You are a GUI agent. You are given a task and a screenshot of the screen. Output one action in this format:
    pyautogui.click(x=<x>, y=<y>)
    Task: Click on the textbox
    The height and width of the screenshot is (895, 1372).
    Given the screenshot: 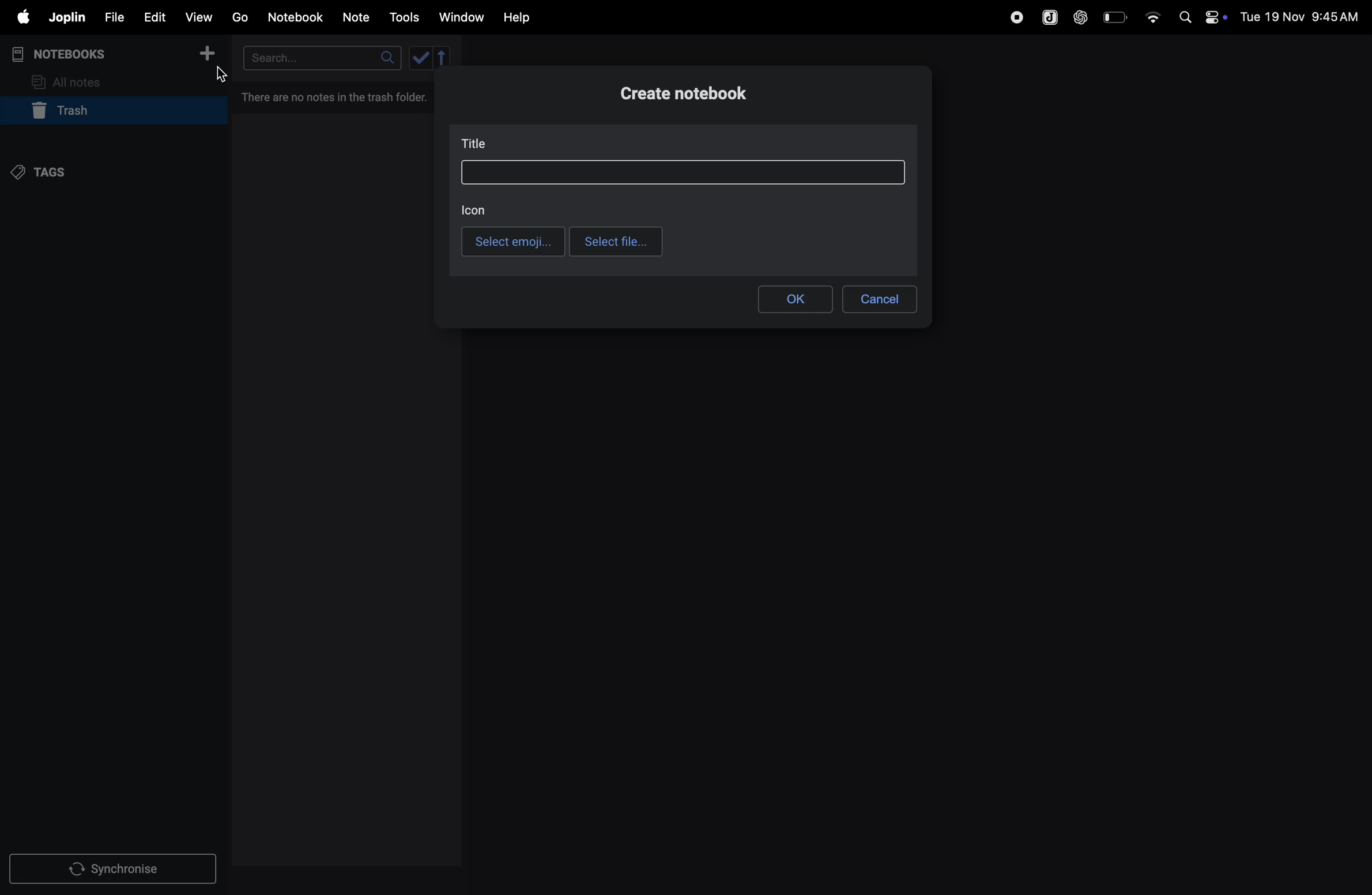 What is the action you would take?
    pyautogui.click(x=681, y=172)
    